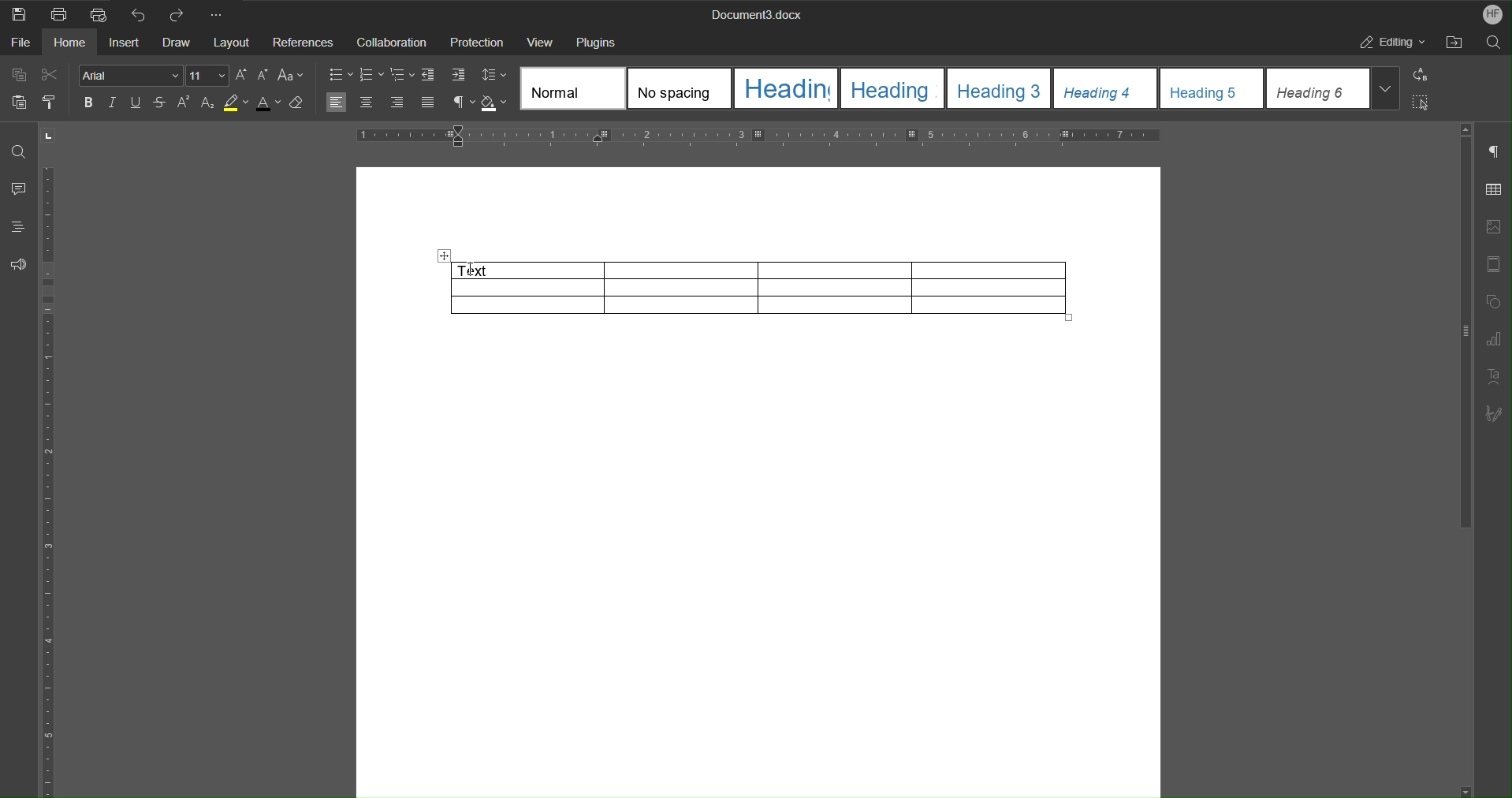  Describe the element at coordinates (138, 13) in the screenshot. I see `Undo` at that location.